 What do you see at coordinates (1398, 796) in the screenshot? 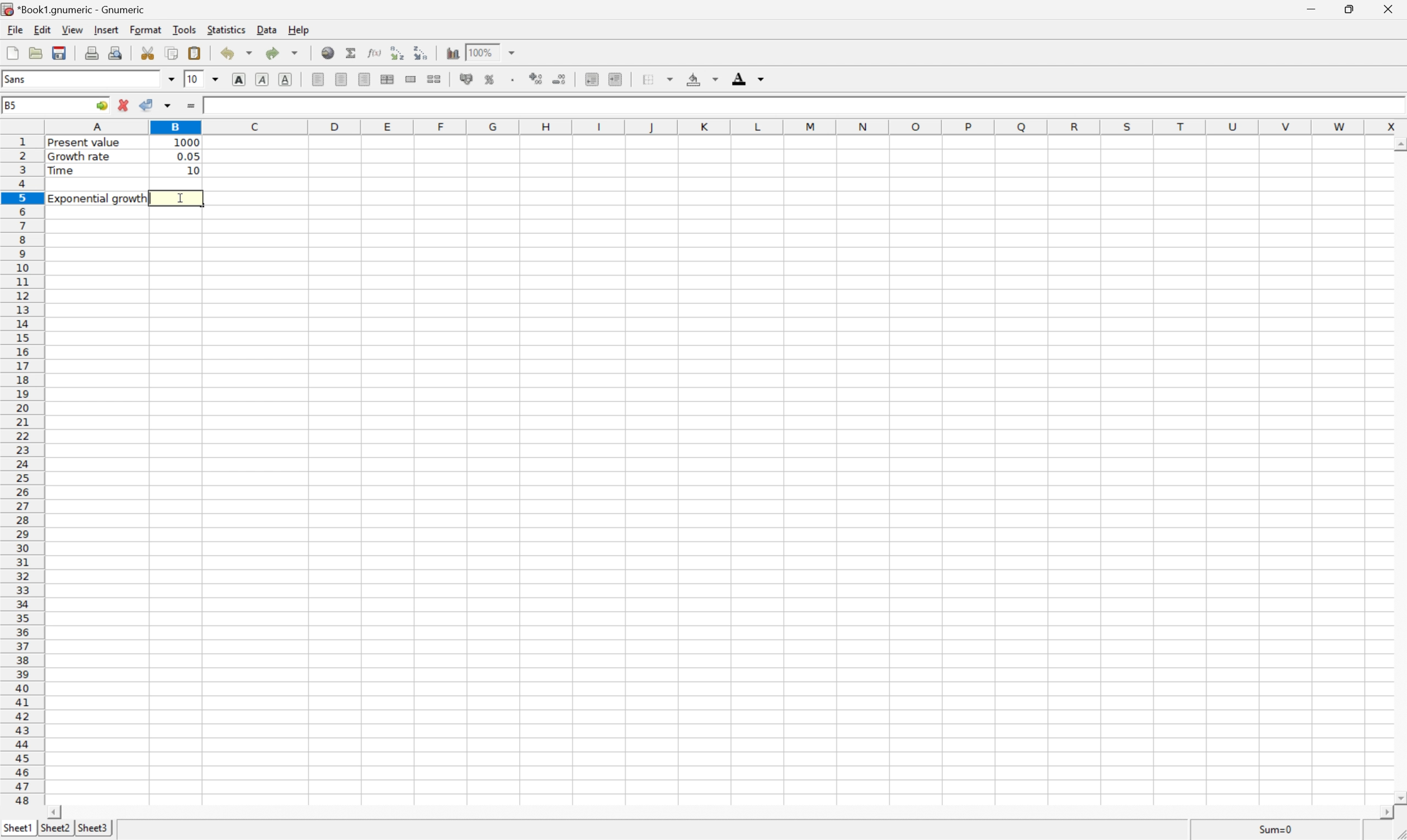
I see `Scroll Down` at bounding box center [1398, 796].